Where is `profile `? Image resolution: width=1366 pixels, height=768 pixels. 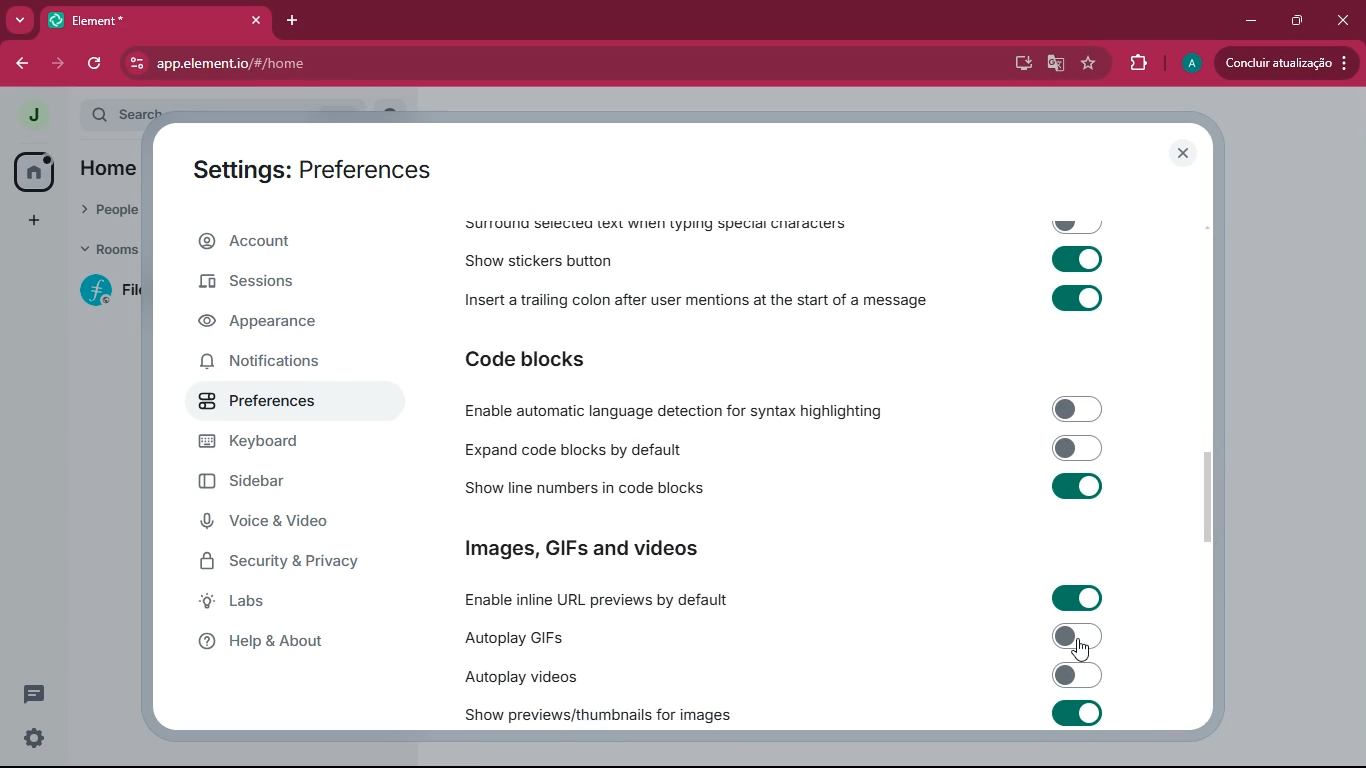 profile  is located at coordinates (1186, 64).